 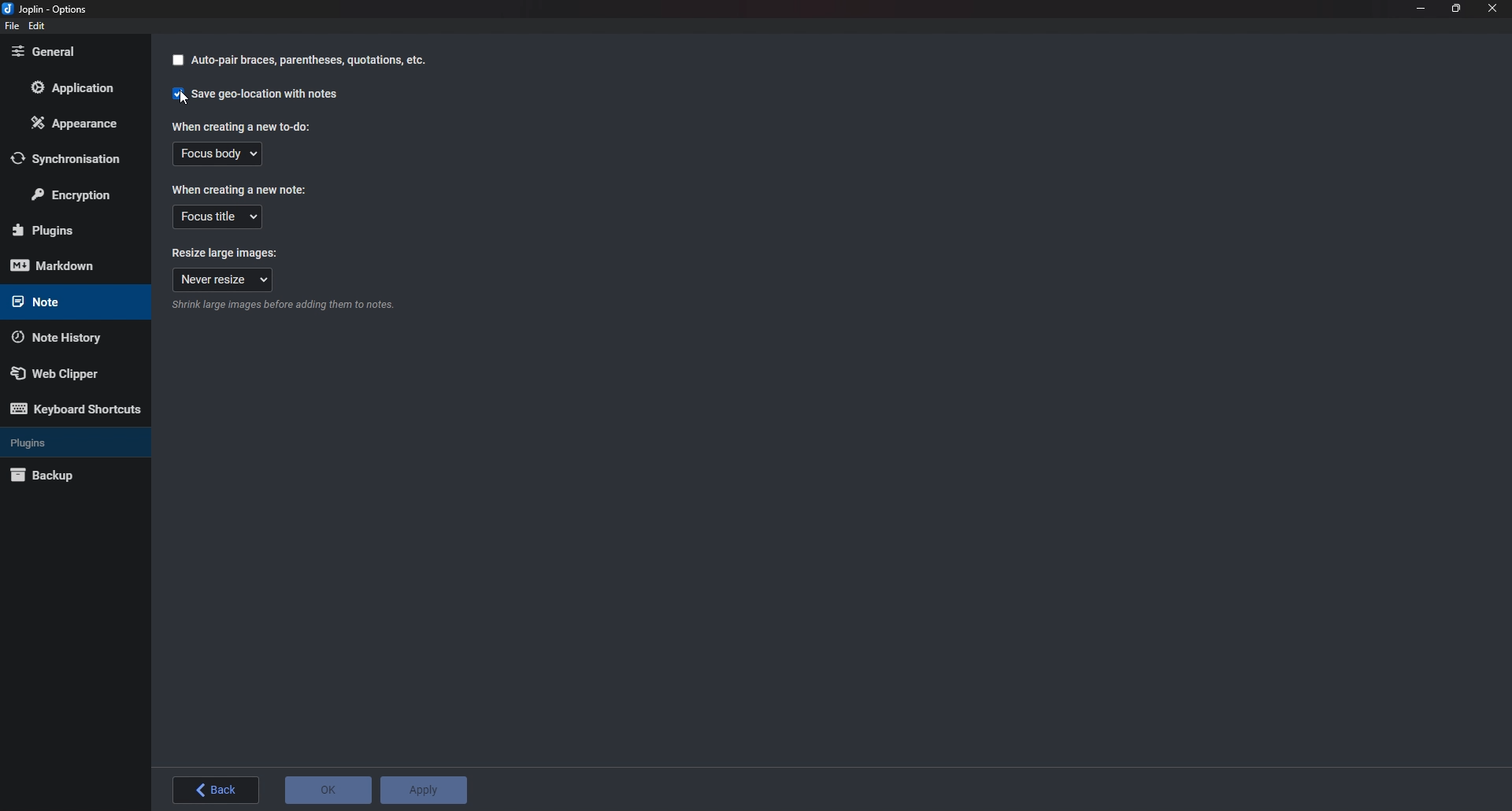 I want to click on Application, so click(x=77, y=87).